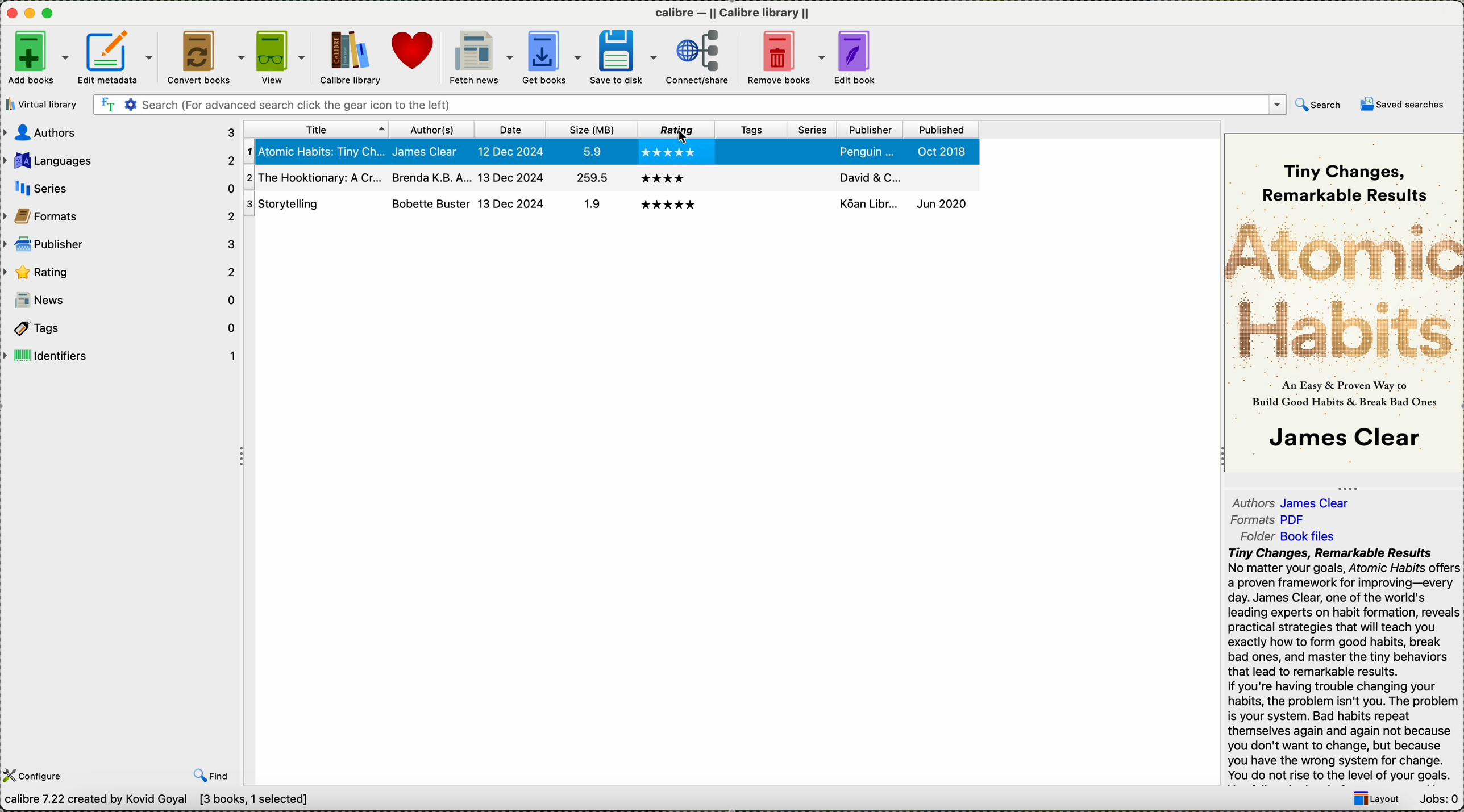  What do you see at coordinates (552, 57) in the screenshot?
I see `get books` at bounding box center [552, 57].